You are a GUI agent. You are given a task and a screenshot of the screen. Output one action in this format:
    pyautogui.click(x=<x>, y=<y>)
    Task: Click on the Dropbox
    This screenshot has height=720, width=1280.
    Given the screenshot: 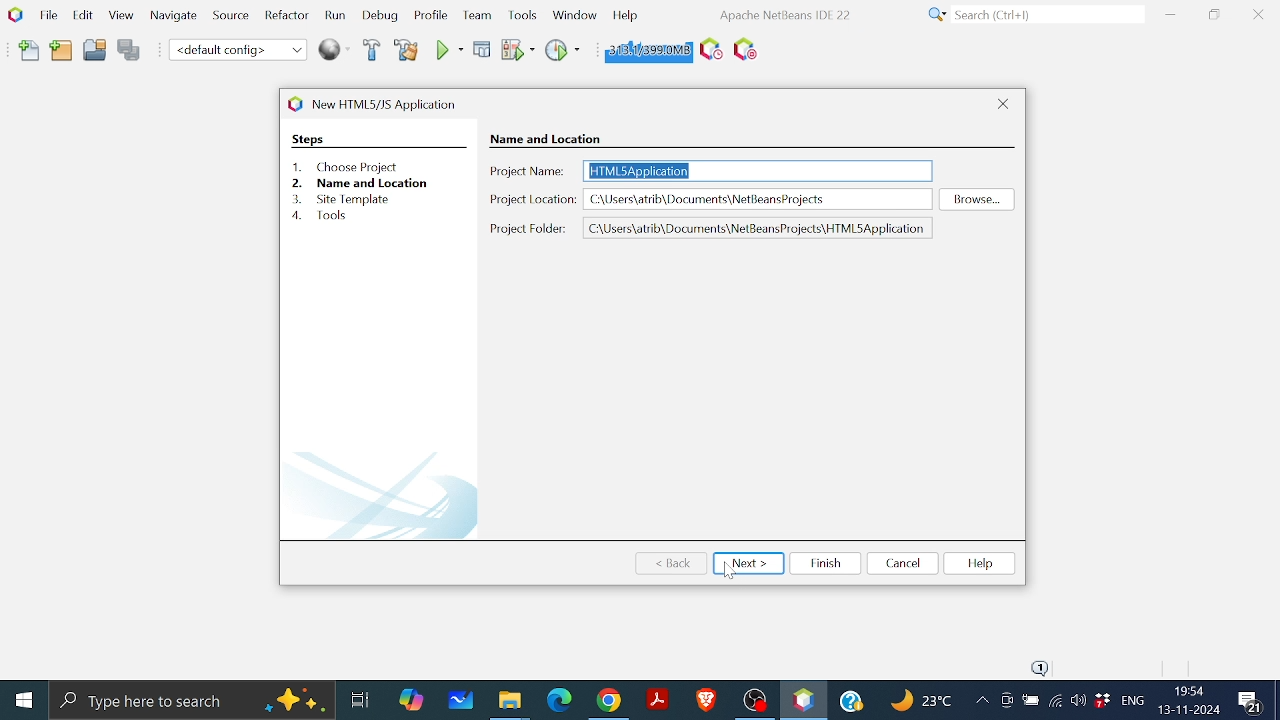 What is the action you would take?
    pyautogui.click(x=1102, y=701)
    